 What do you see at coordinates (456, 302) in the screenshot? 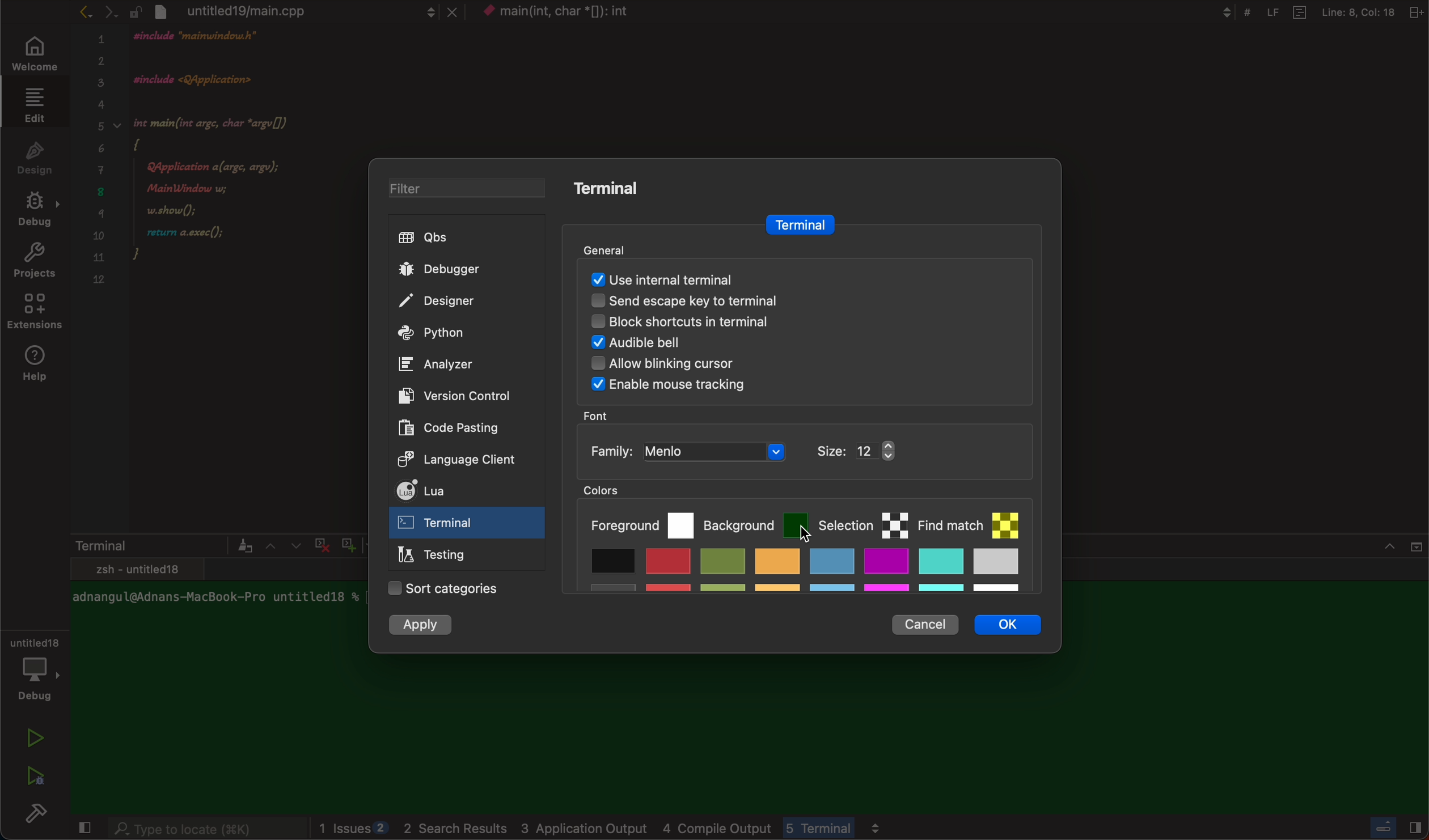
I see `designer` at bounding box center [456, 302].